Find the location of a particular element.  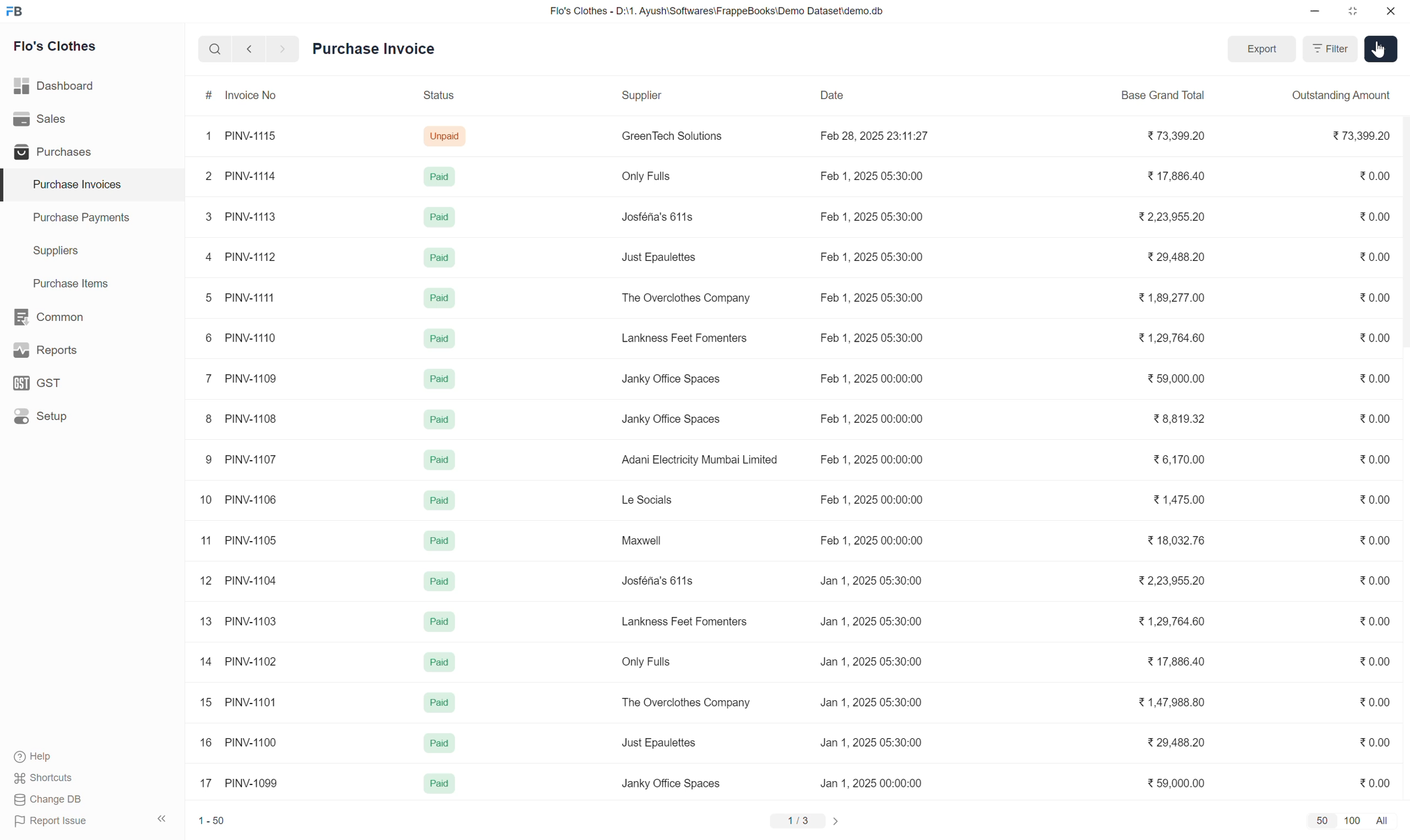

1,47,988.80 is located at coordinates (1179, 702).